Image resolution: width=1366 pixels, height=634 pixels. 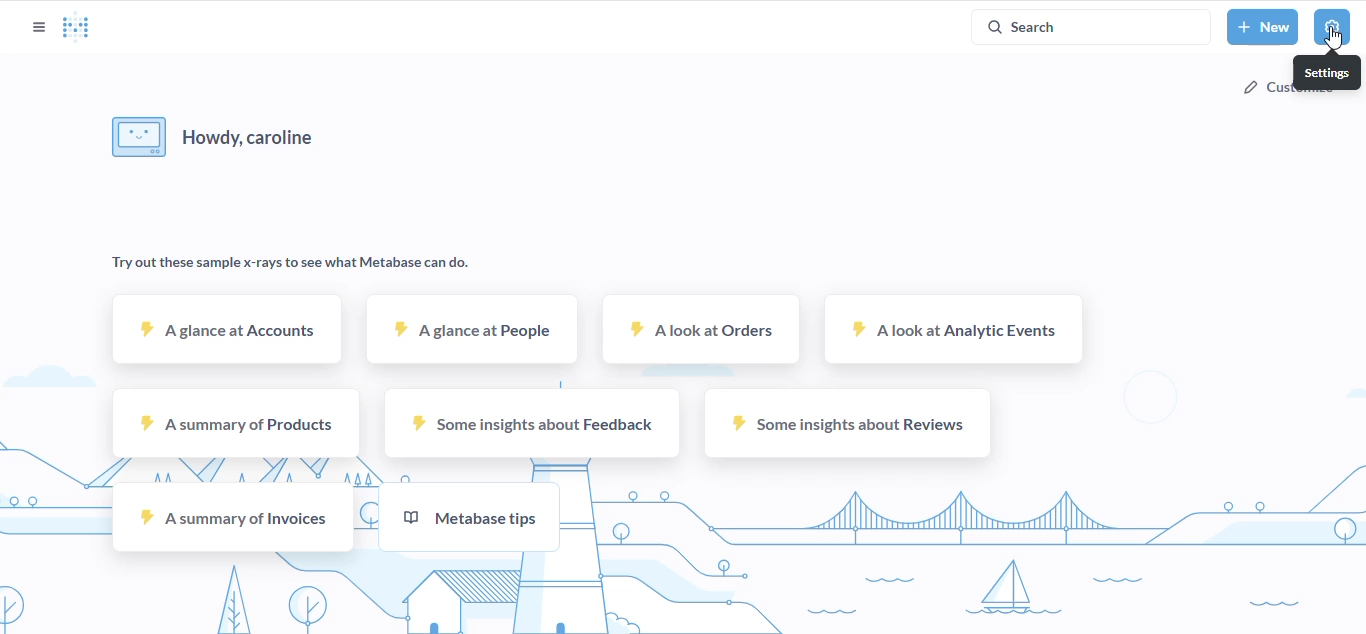 What do you see at coordinates (468, 518) in the screenshot?
I see `metabase tips` at bounding box center [468, 518].